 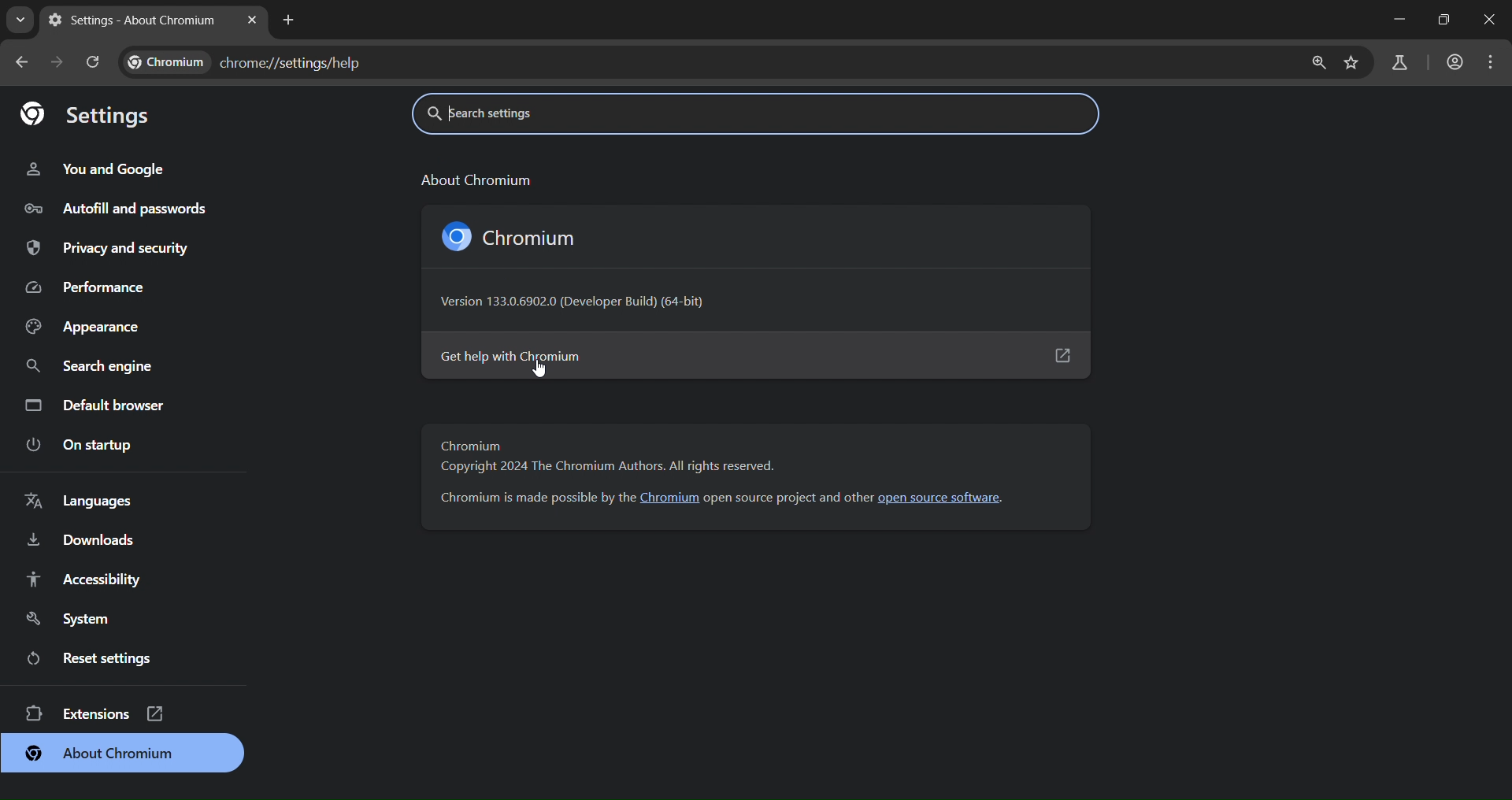 I want to click on chromium, so click(x=671, y=498).